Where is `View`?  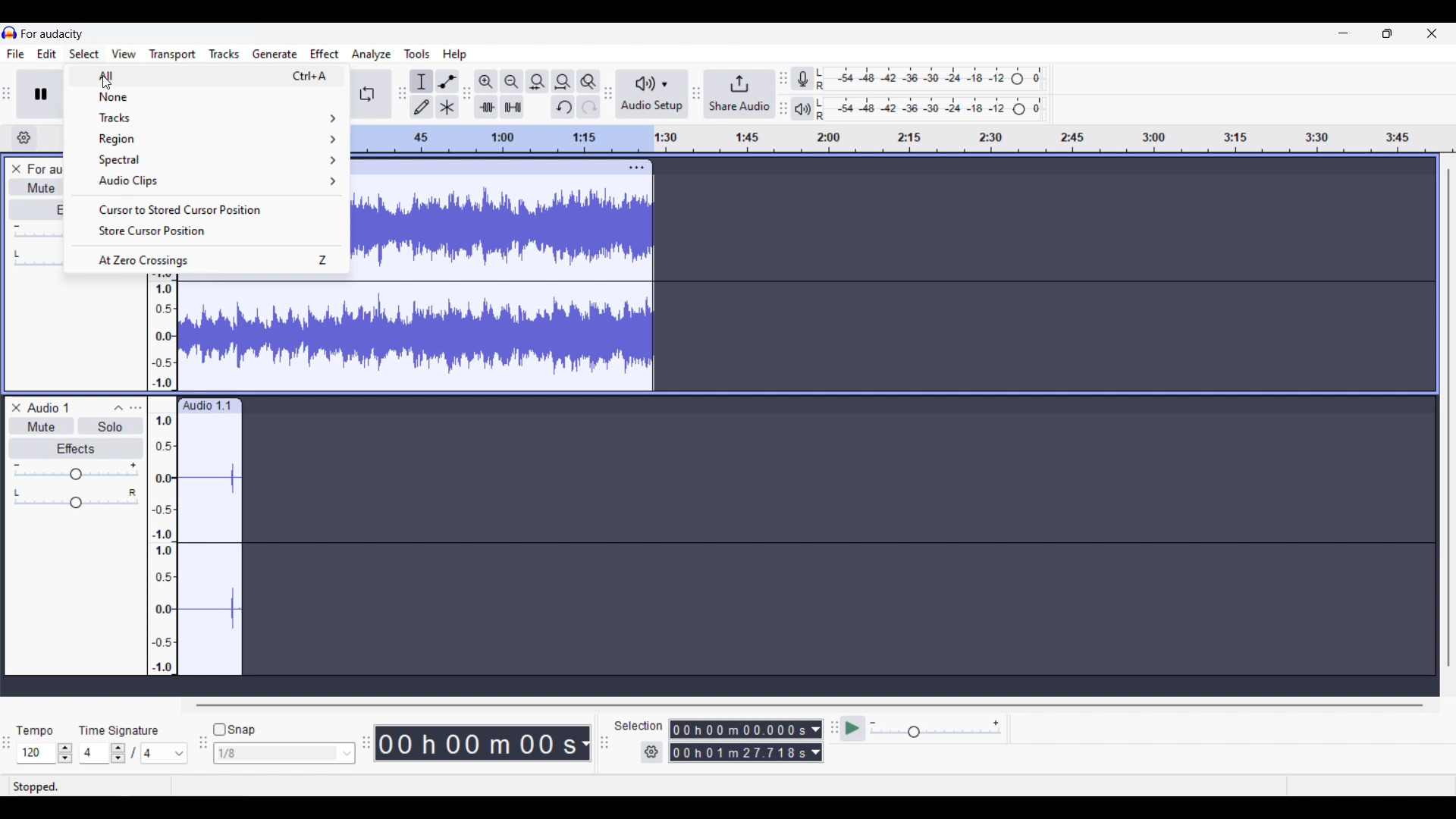
View is located at coordinates (124, 54).